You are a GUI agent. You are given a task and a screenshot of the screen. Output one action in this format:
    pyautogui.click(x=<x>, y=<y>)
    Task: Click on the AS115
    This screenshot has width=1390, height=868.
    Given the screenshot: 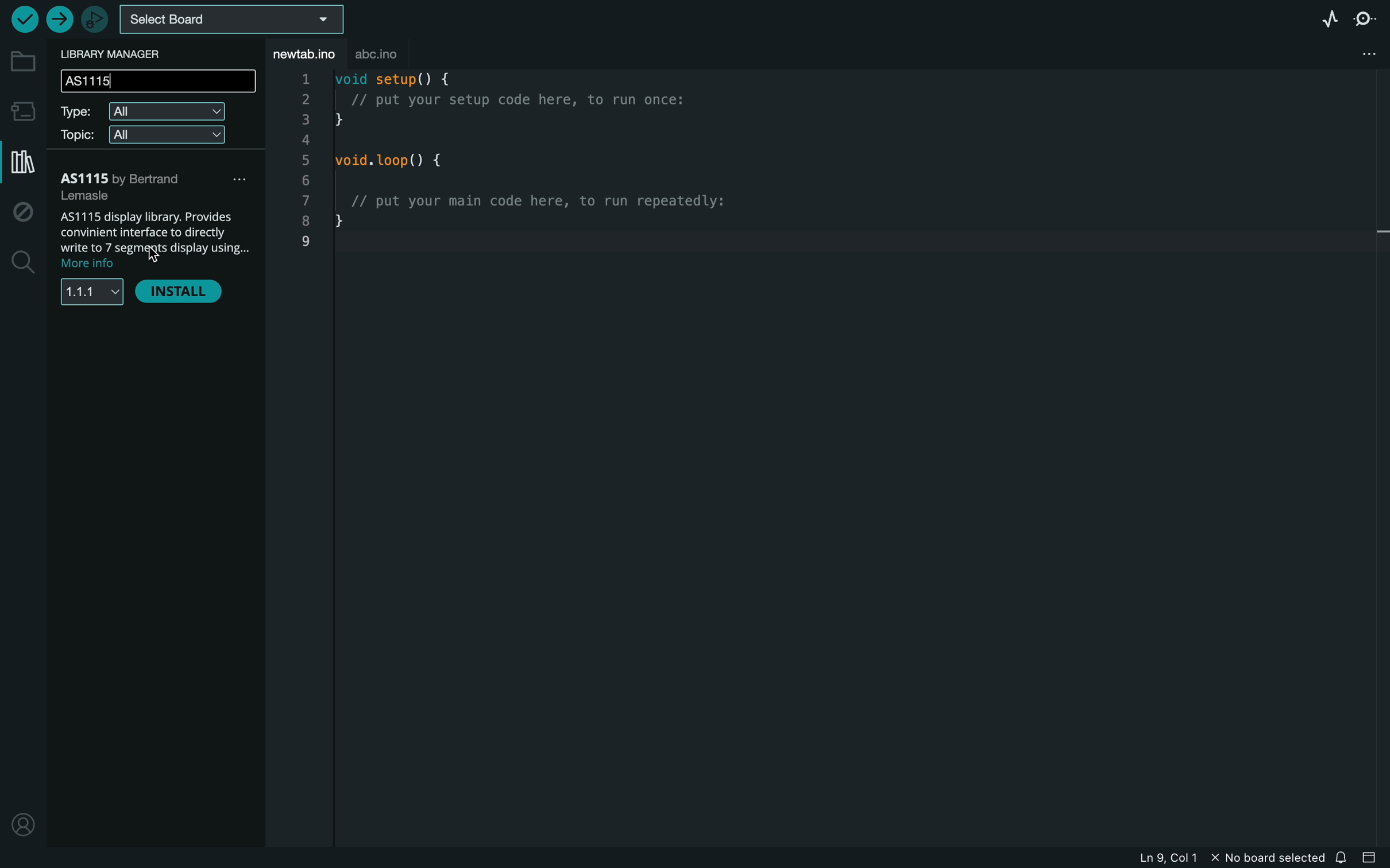 What is the action you would take?
    pyautogui.click(x=157, y=185)
    